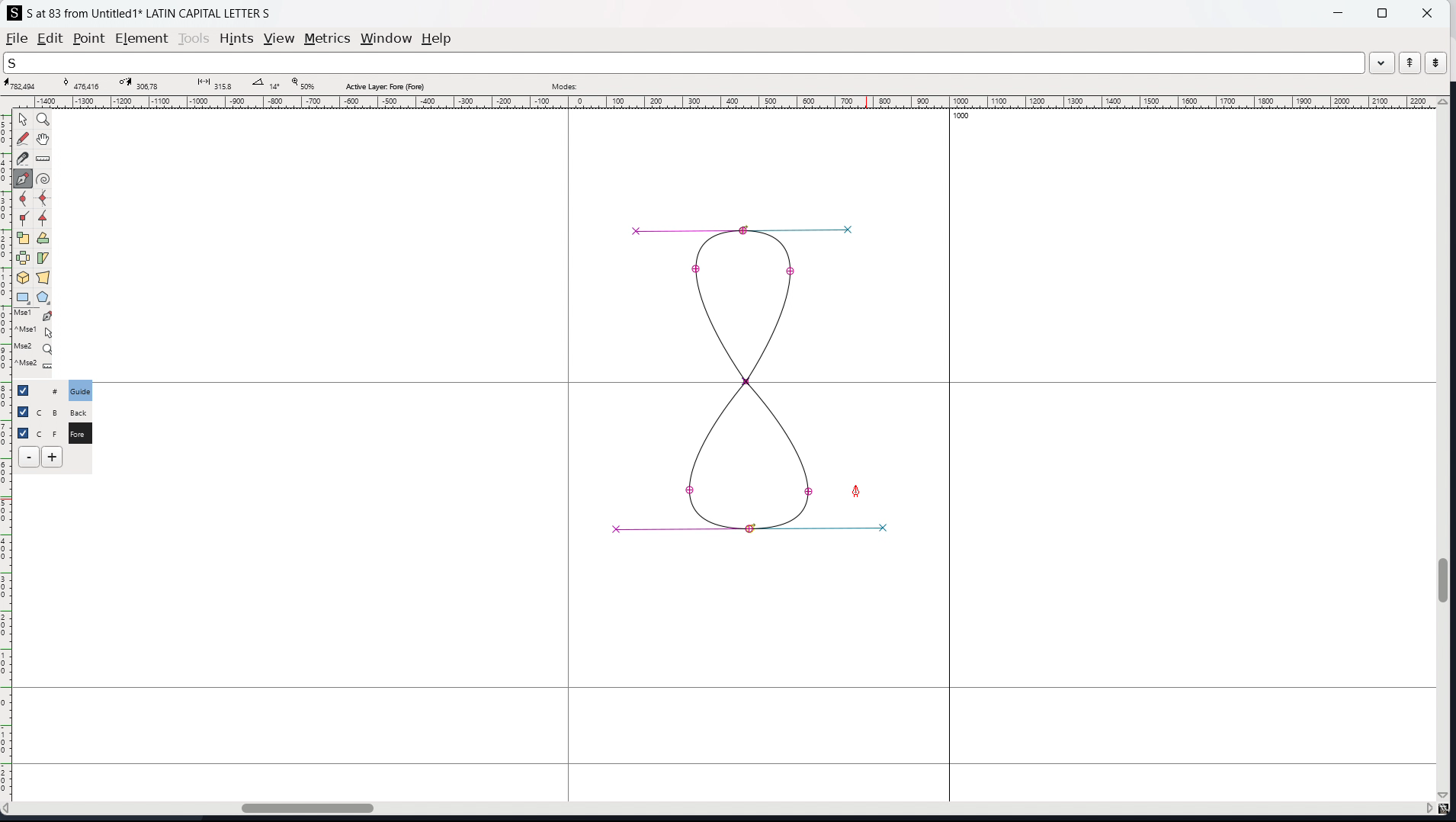 The image size is (1456, 822). I want to click on zoom level, so click(303, 85).